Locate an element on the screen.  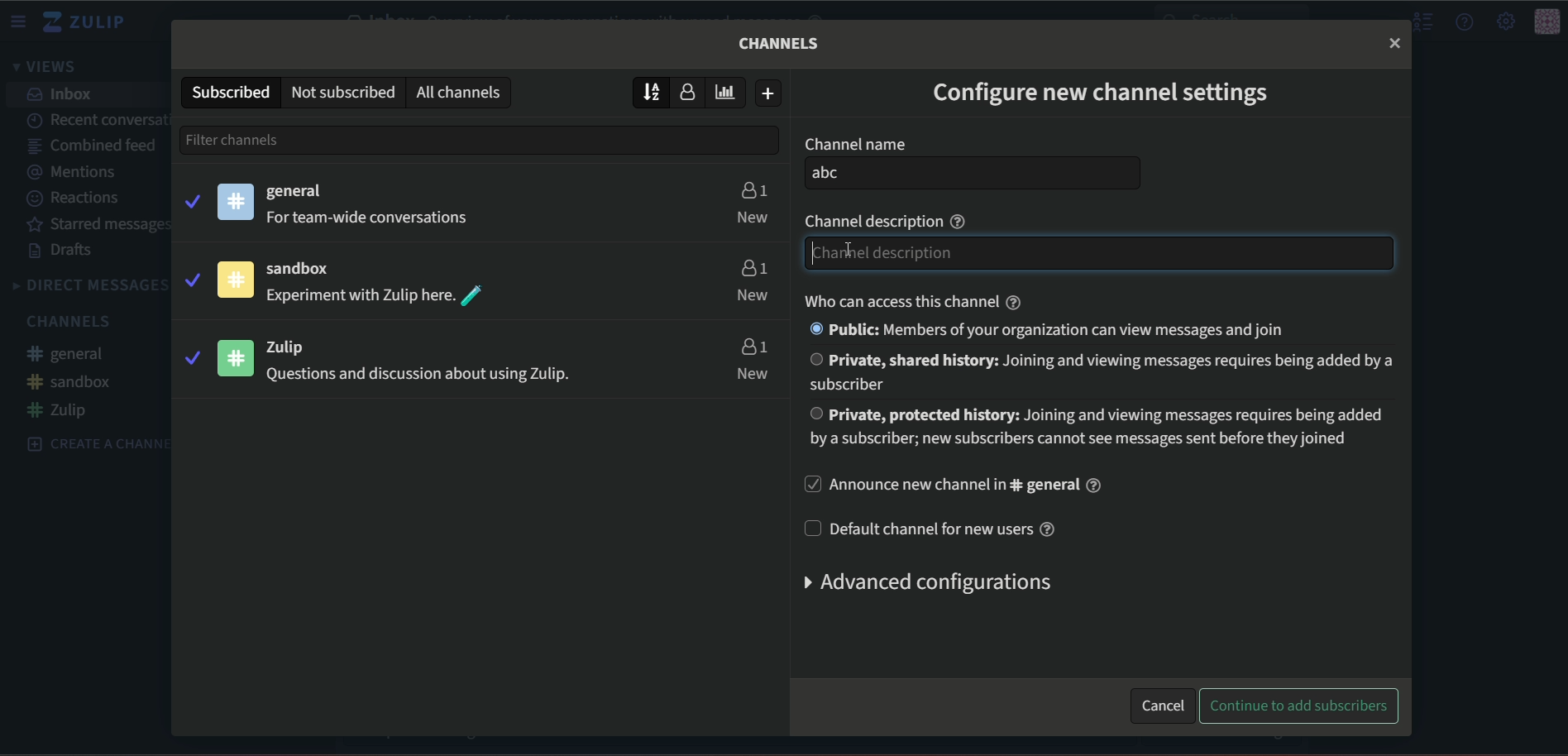
starred messages is located at coordinates (85, 227).